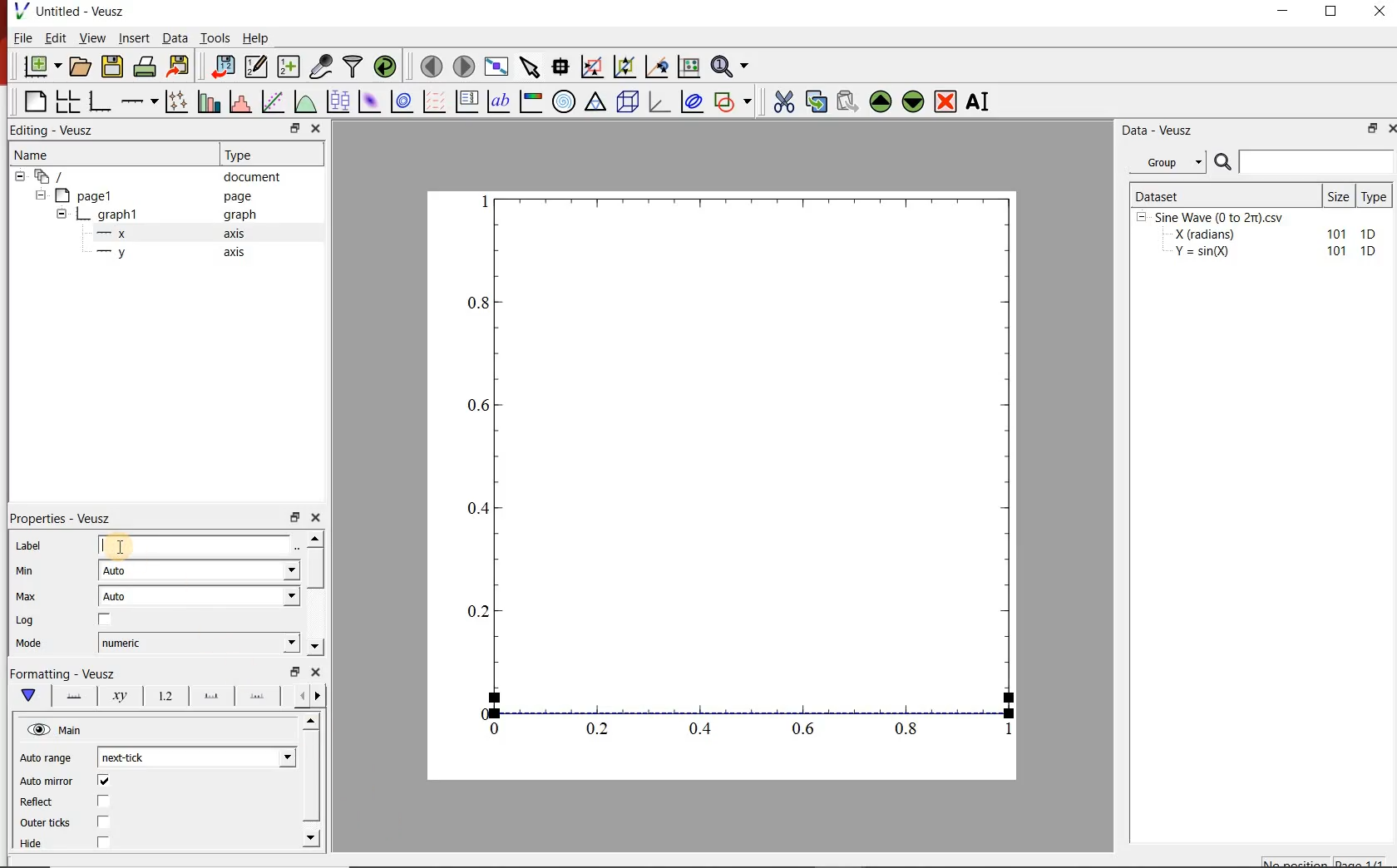 The width and height of the screenshot is (1397, 868). Describe the element at coordinates (1381, 11) in the screenshot. I see `Close` at that location.